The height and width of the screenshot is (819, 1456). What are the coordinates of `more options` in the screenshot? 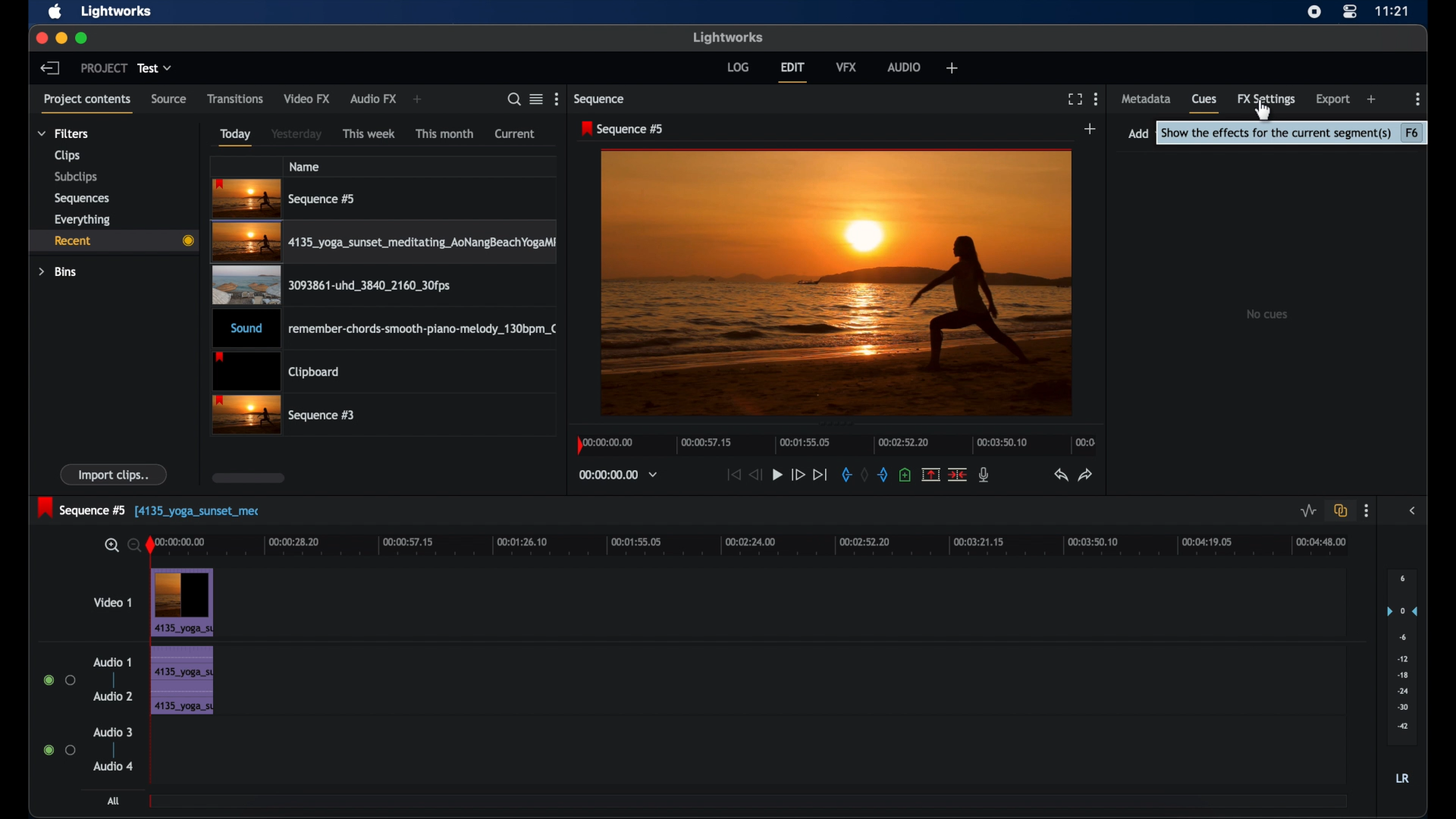 It's located at (1366, 511).